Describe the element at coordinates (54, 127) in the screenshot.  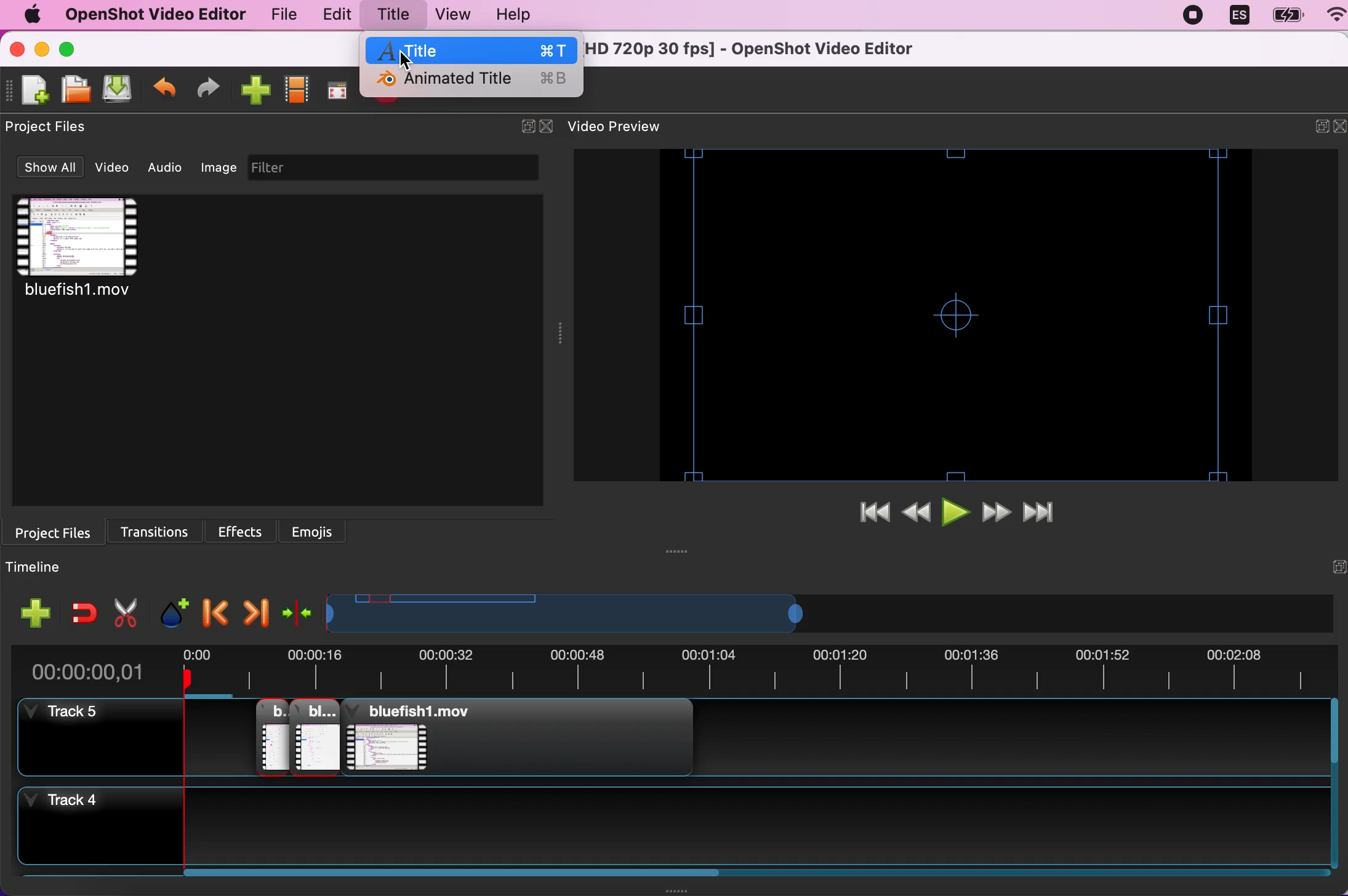
I see `project files` at that location.